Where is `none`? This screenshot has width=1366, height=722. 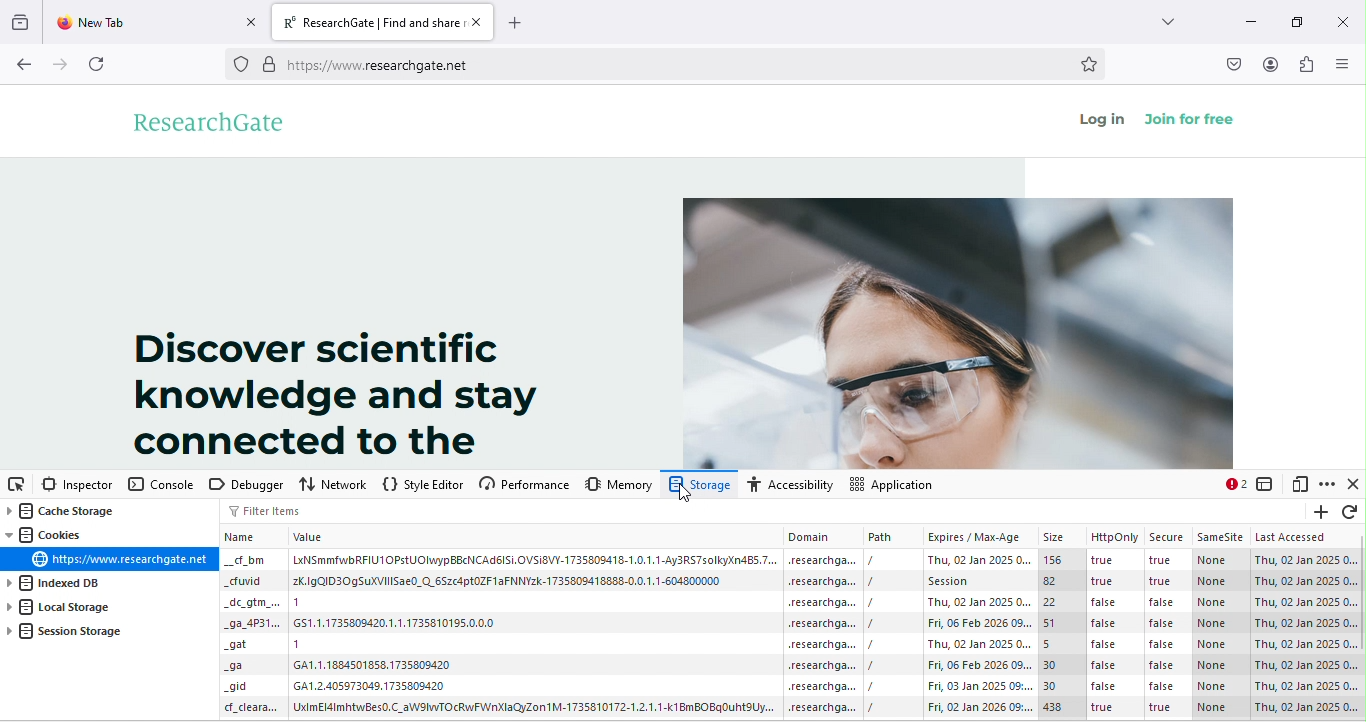 none is located at coordinates (1211, 707).